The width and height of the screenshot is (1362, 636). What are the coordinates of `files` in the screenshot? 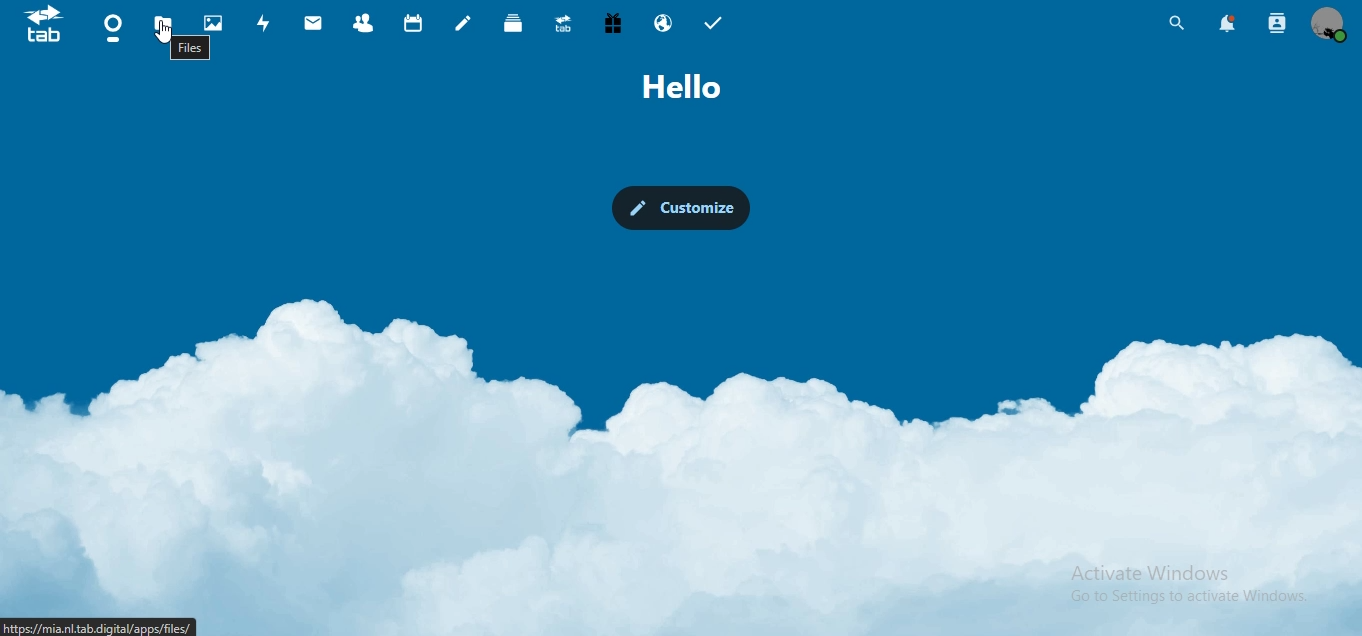 It's located at (163, 30).